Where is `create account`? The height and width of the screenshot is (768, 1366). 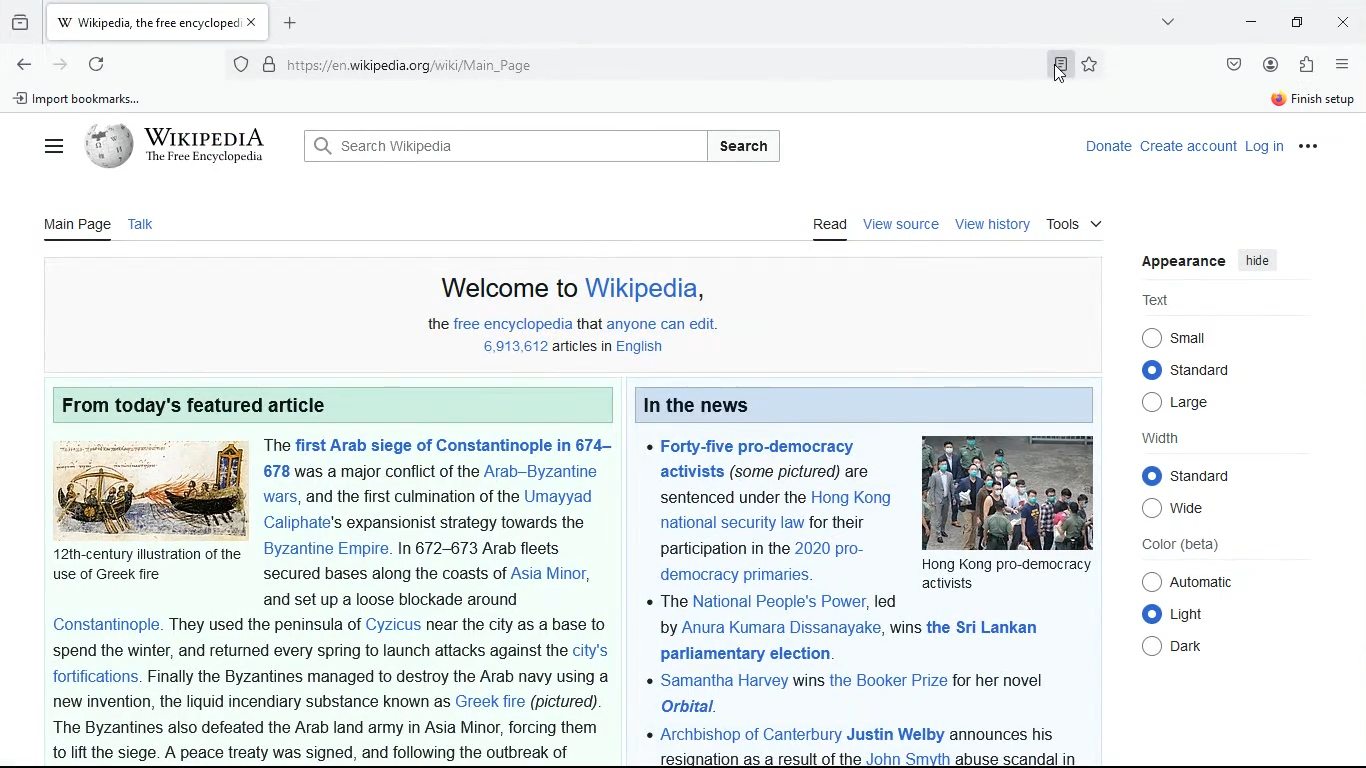 create account is located at coordinates (1189, 145).